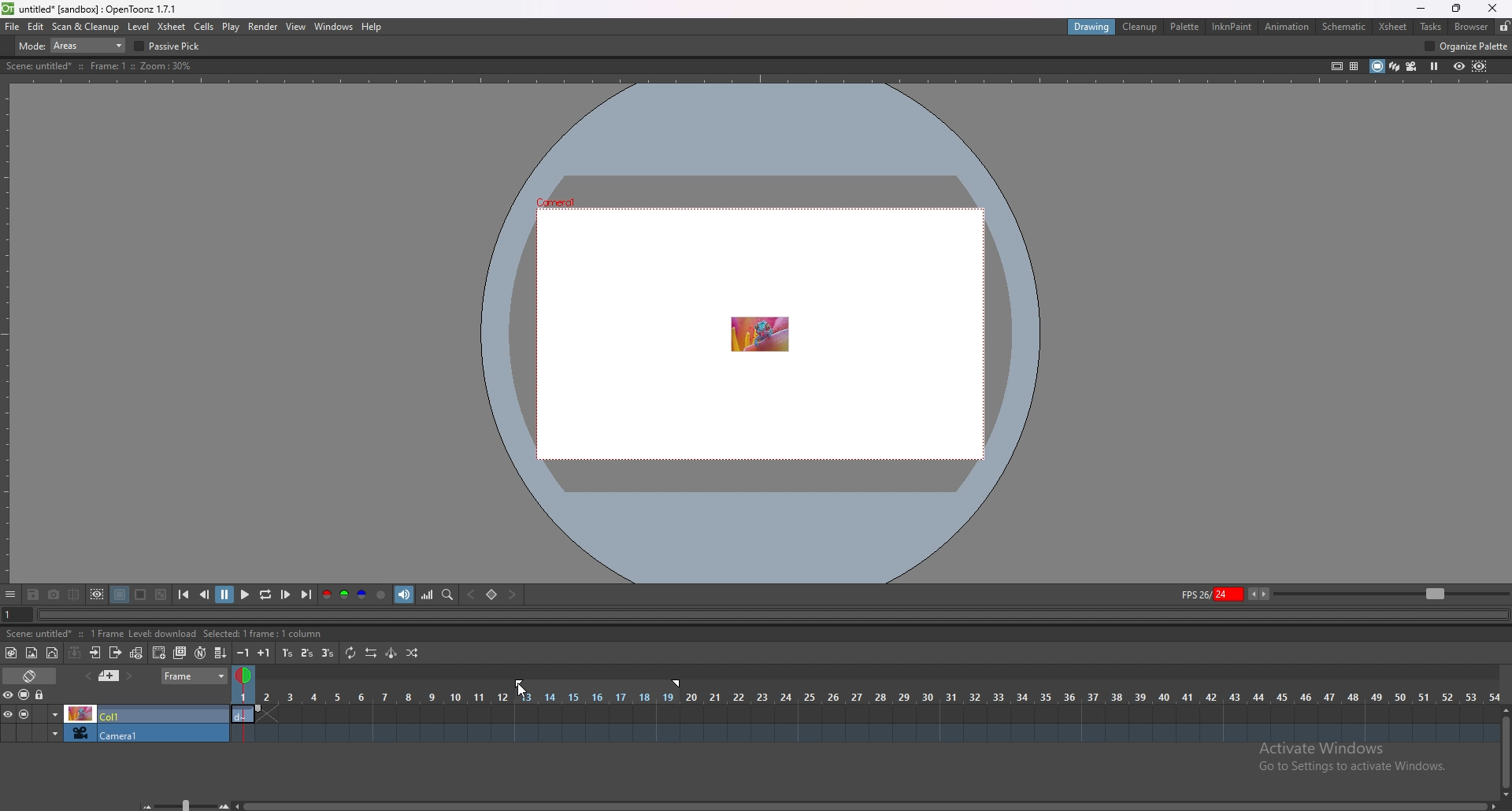  What do you see at coordinates (170, 46) in the screenshot?
I see `passive pick` at bounding box center [170, 46].